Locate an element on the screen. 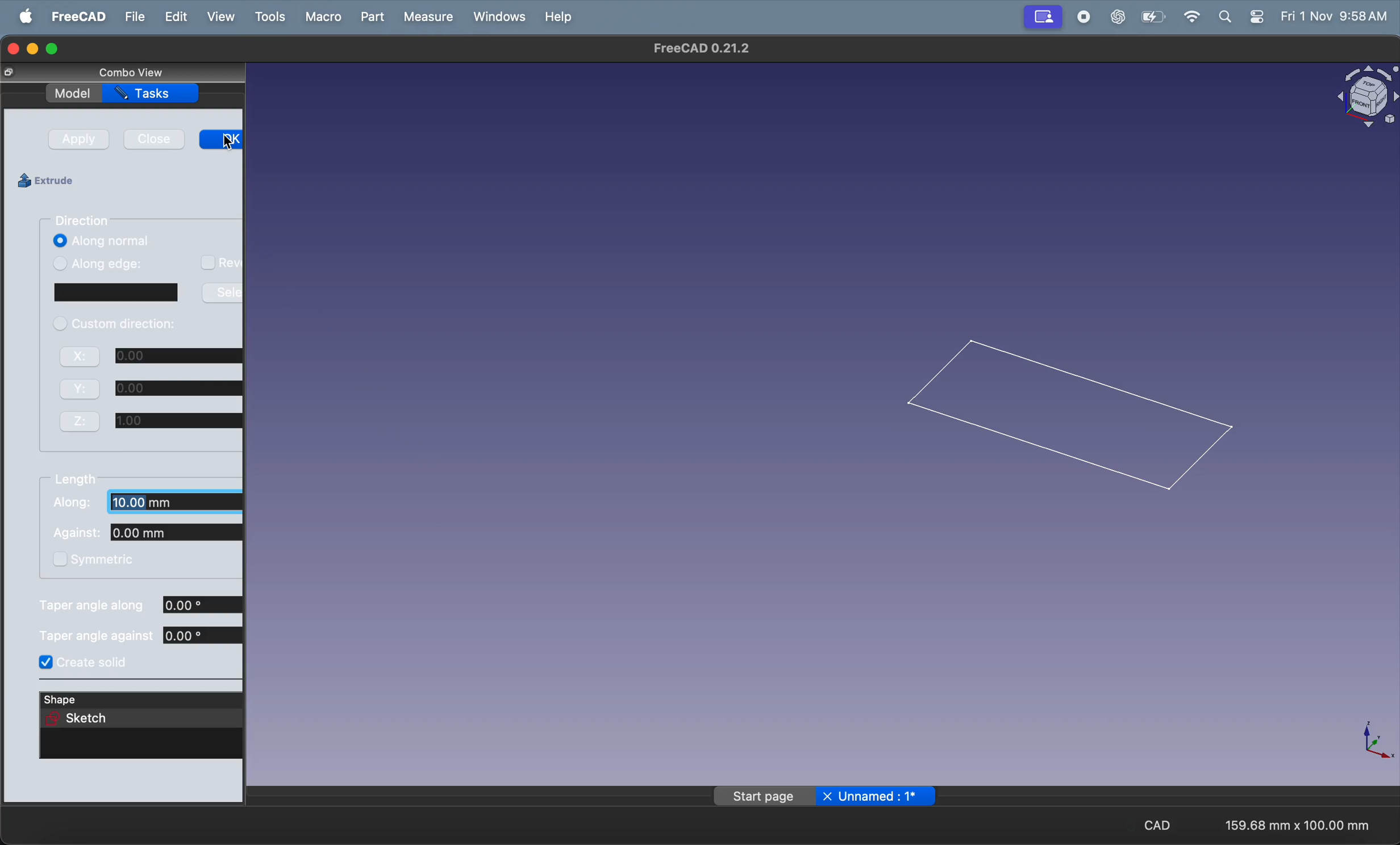 This screenshot has height=845, width=1400. tapper angle agianst is located at coordinates (139, 636).